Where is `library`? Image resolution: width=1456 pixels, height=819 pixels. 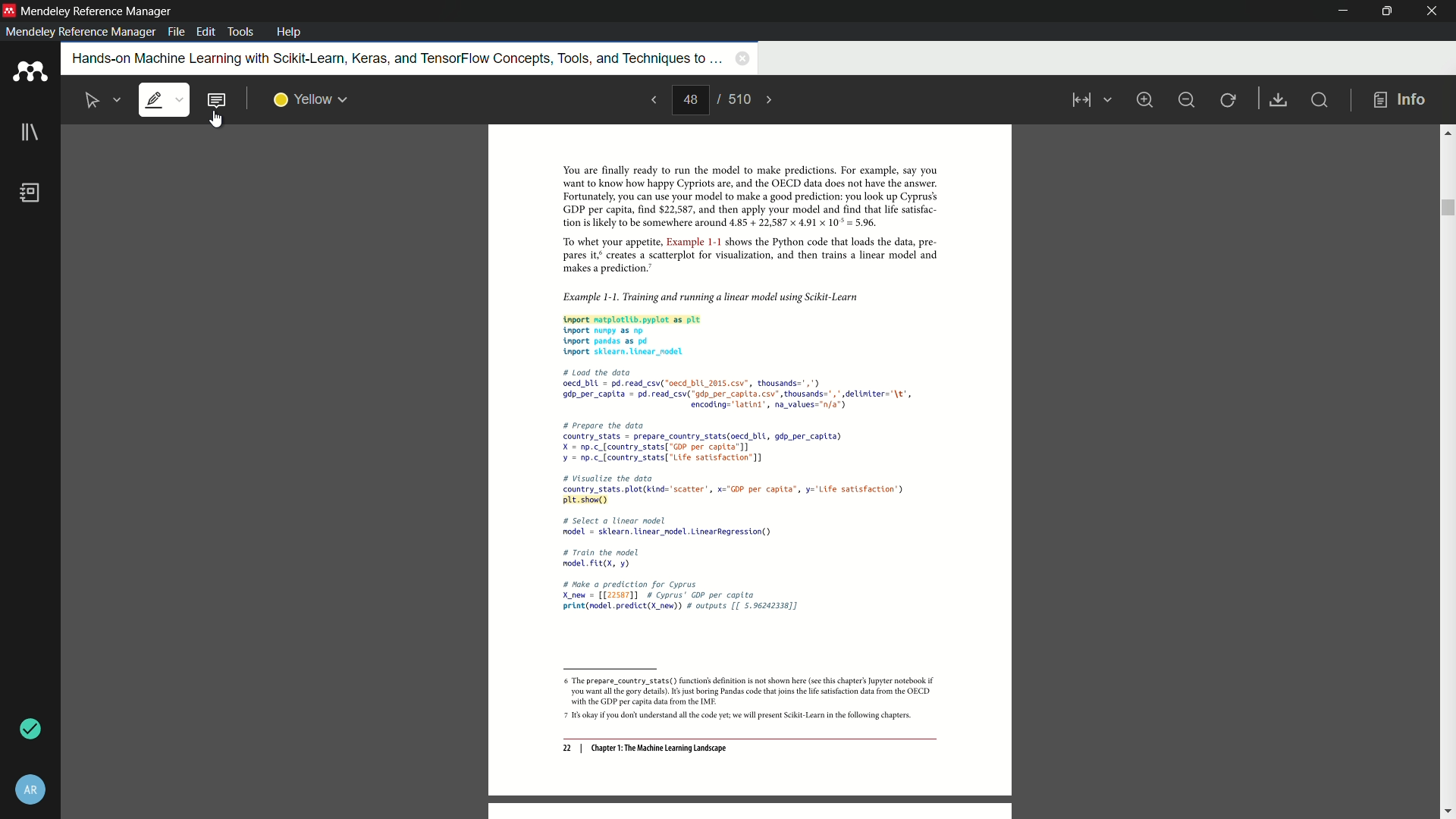
library is located at coordinates (30, 133).